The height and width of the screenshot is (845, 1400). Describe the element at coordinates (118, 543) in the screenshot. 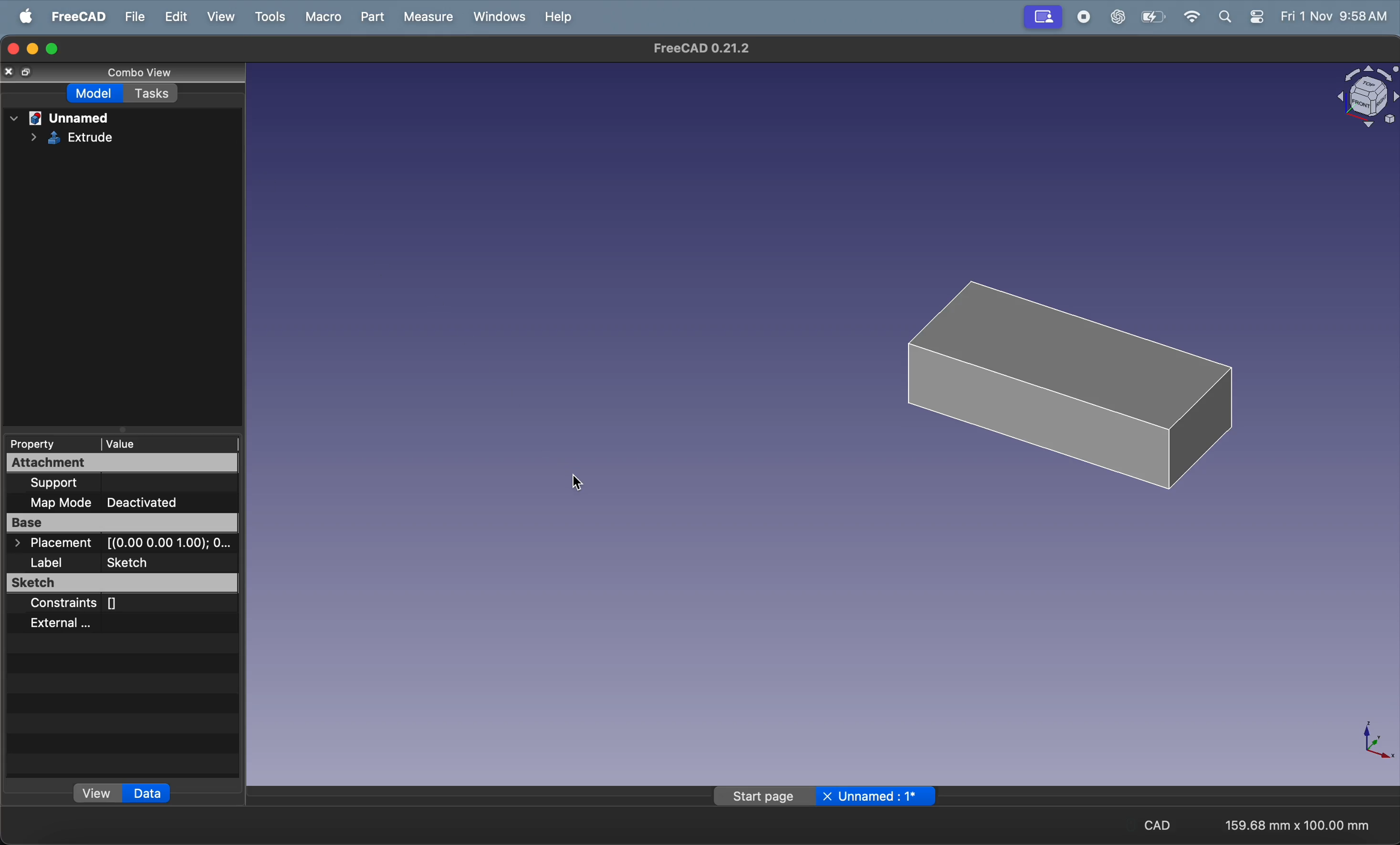

I see `placement` at that location.